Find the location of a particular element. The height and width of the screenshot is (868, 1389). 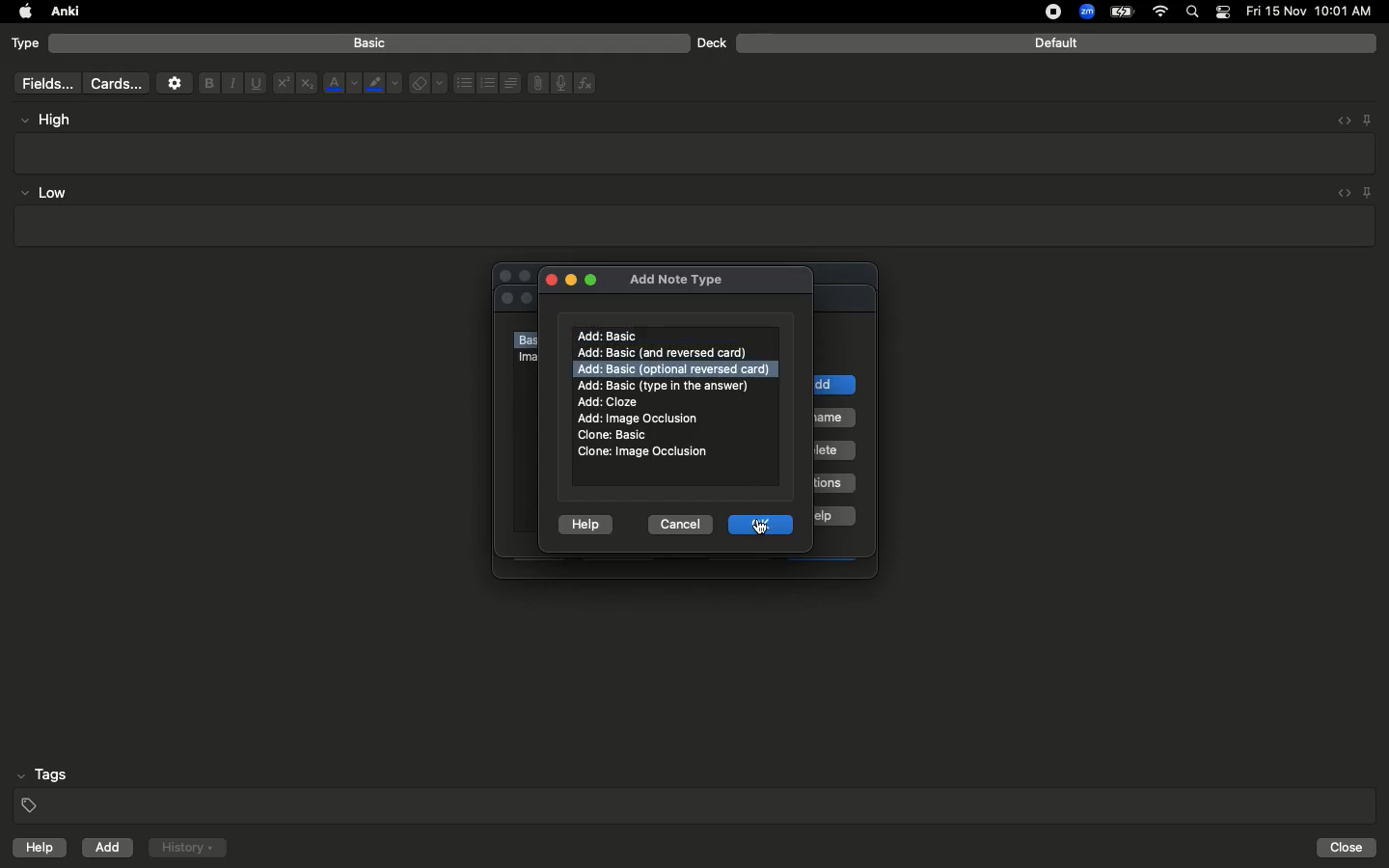

Bullet is located at coordinates (463, 83).